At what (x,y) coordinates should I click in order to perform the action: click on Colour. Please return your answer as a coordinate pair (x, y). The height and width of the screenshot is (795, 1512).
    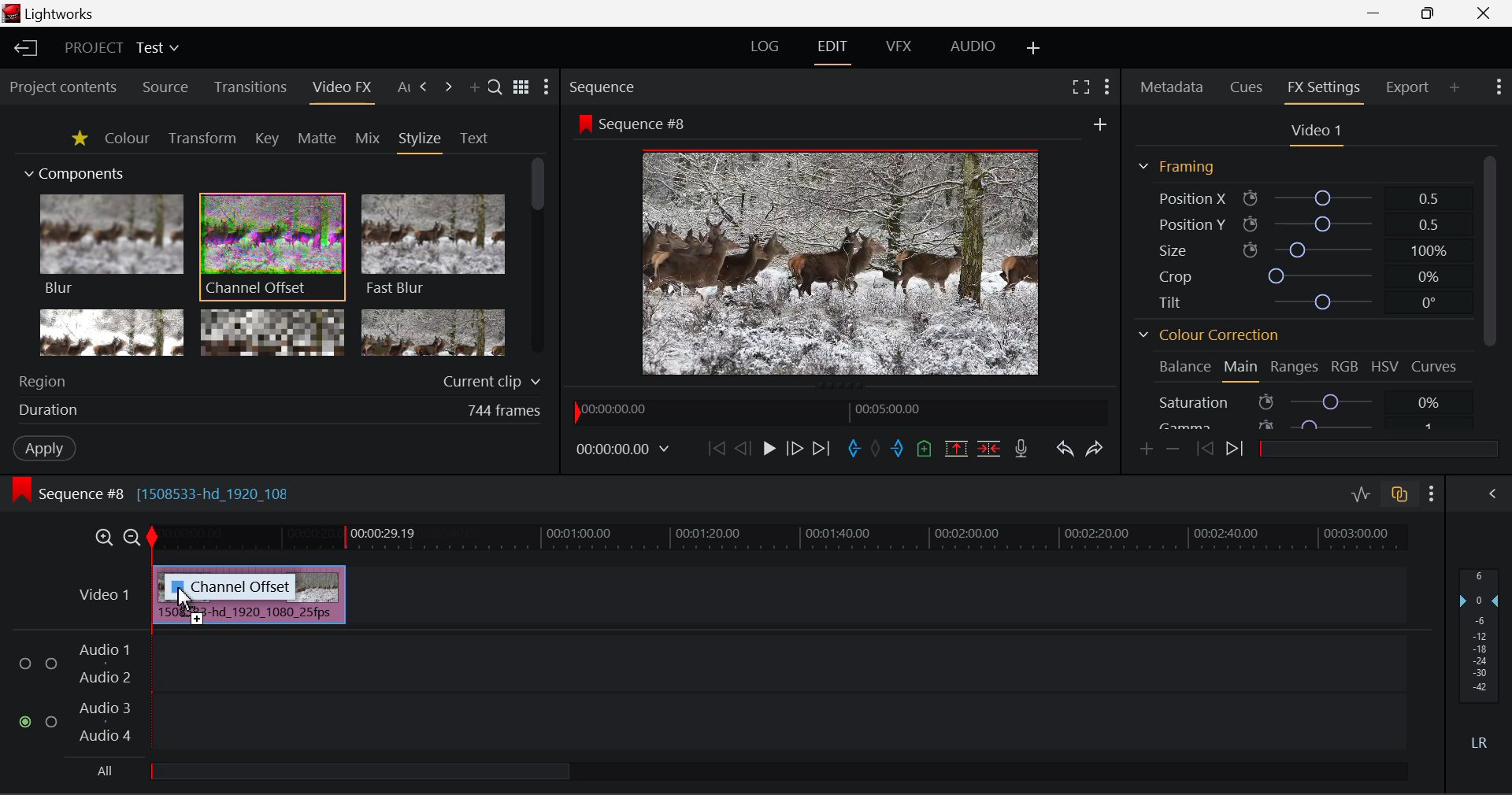
    Looking at the image, I should click on (126, 138).